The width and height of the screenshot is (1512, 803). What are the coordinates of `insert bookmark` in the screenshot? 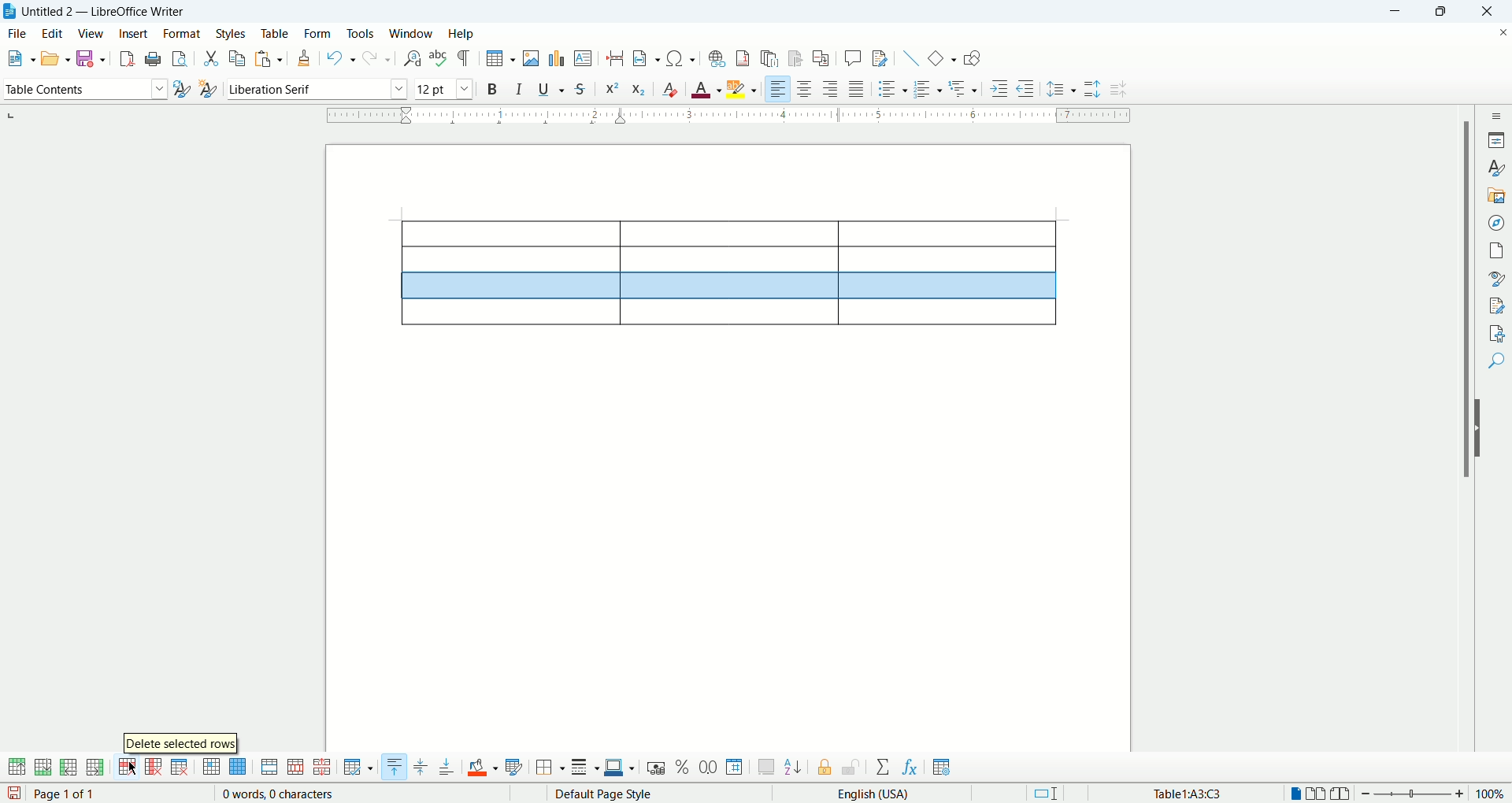 It's located at (795, 59).